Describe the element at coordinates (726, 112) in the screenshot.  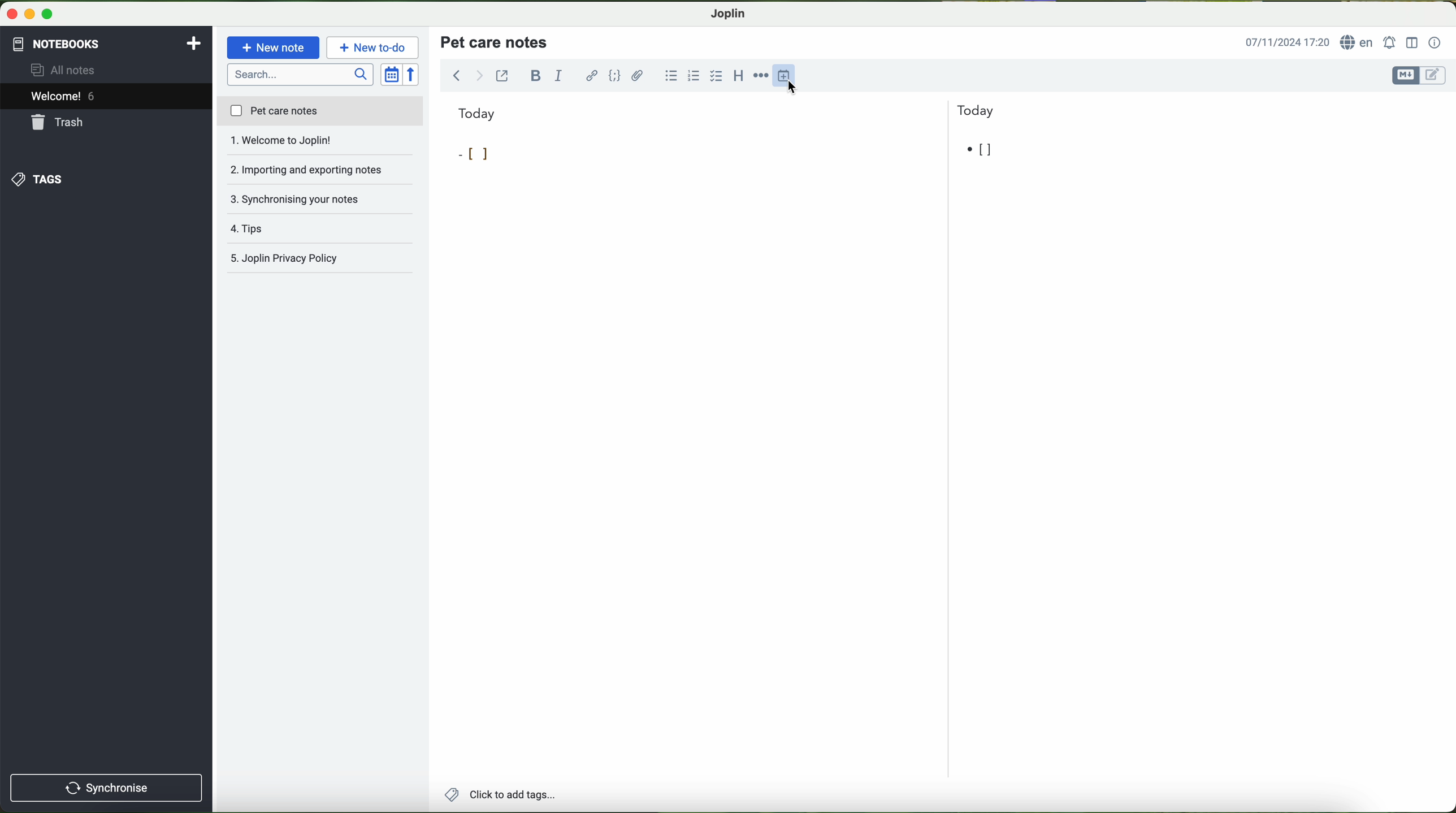
I see `today` at that location.